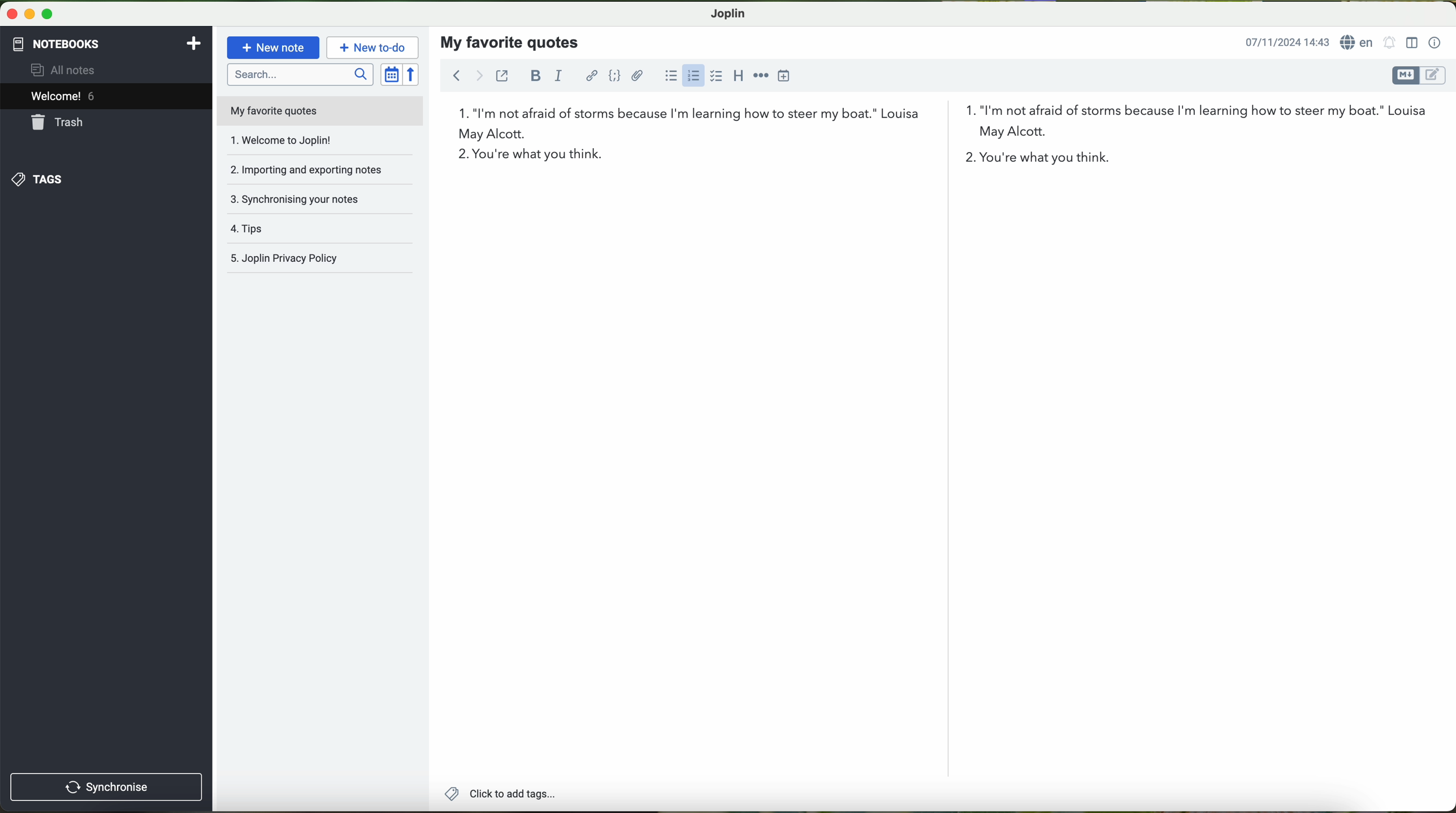  What do you see at coordinates (9, 16) in the screenshot?
I see `close` at bounding box center [9, 16].